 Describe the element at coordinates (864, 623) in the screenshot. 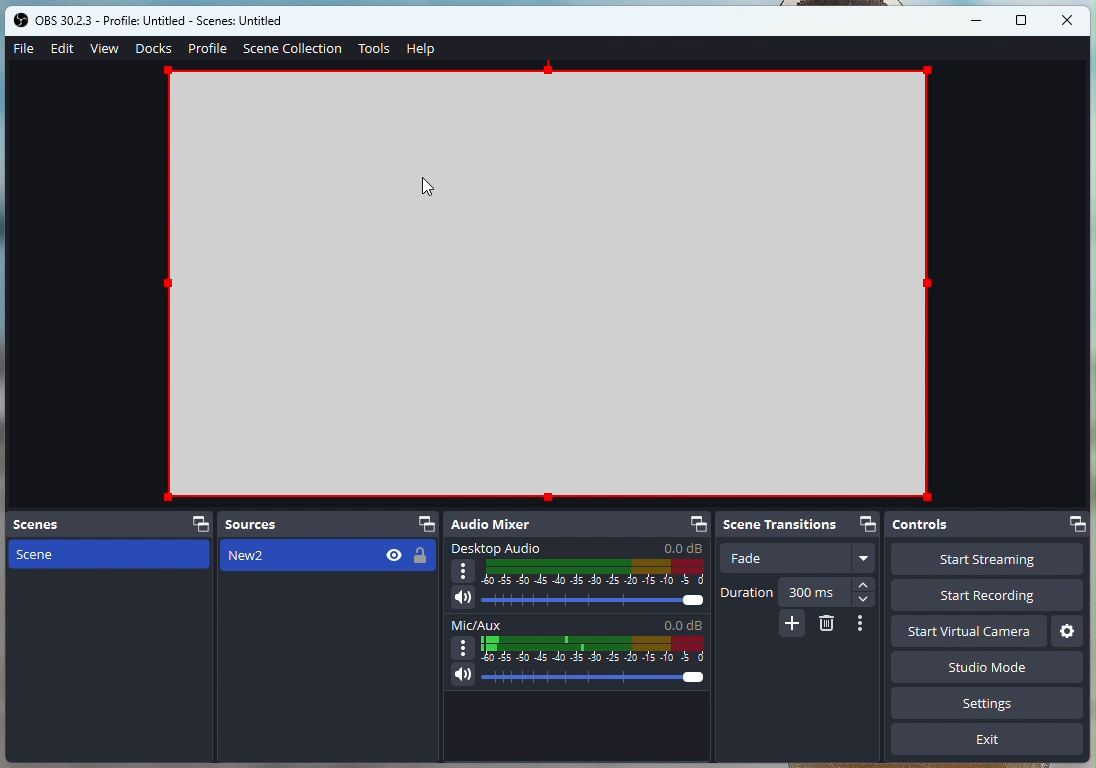

I see `Options` at that location.